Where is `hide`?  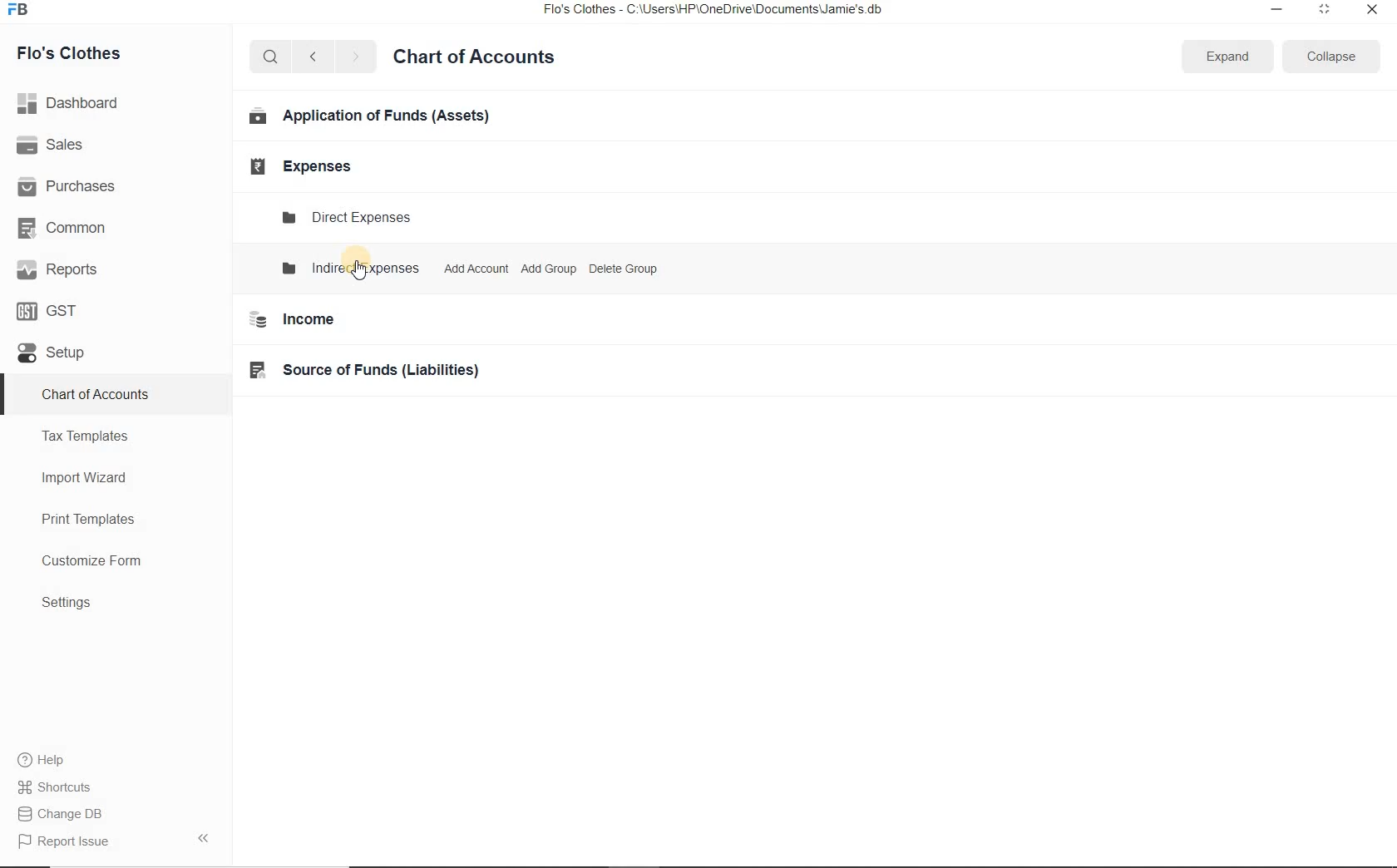
hide is located at coordinates (204, 838).